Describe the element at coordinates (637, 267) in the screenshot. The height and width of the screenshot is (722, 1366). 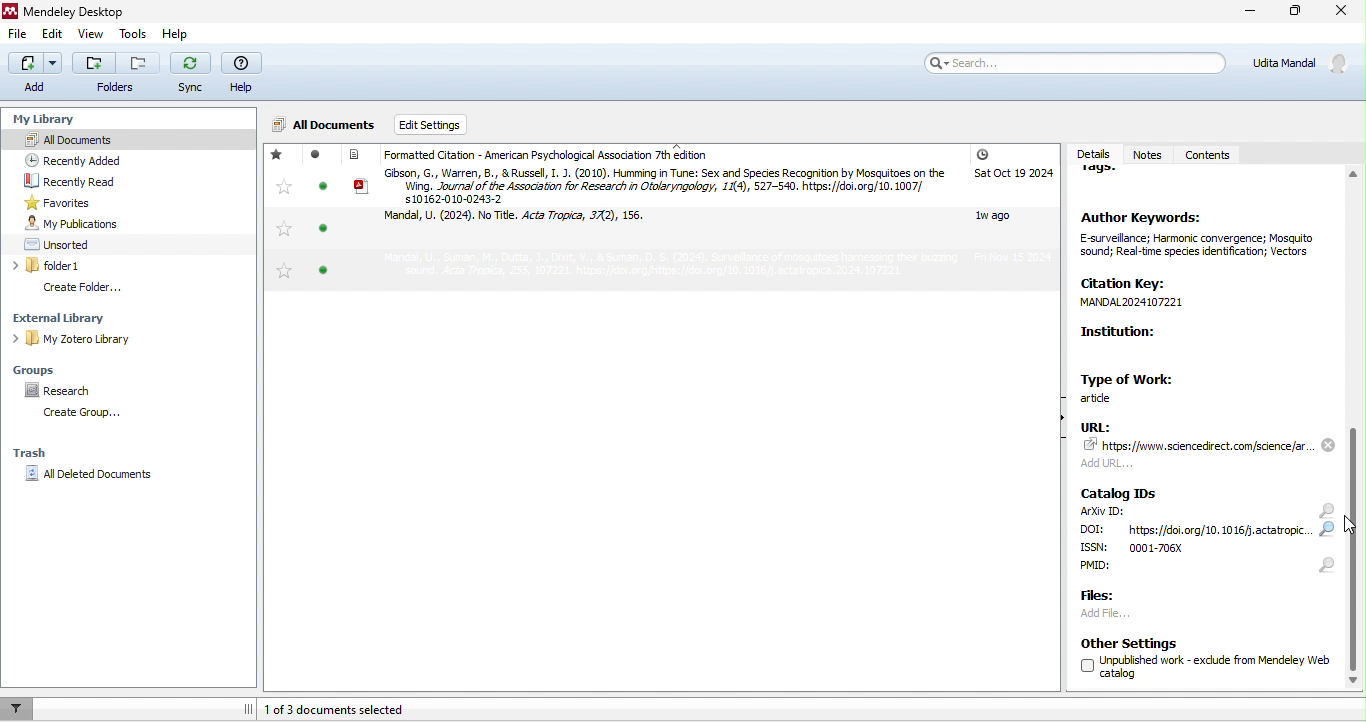
I see `article by Mandal et al, 2024` at that location.